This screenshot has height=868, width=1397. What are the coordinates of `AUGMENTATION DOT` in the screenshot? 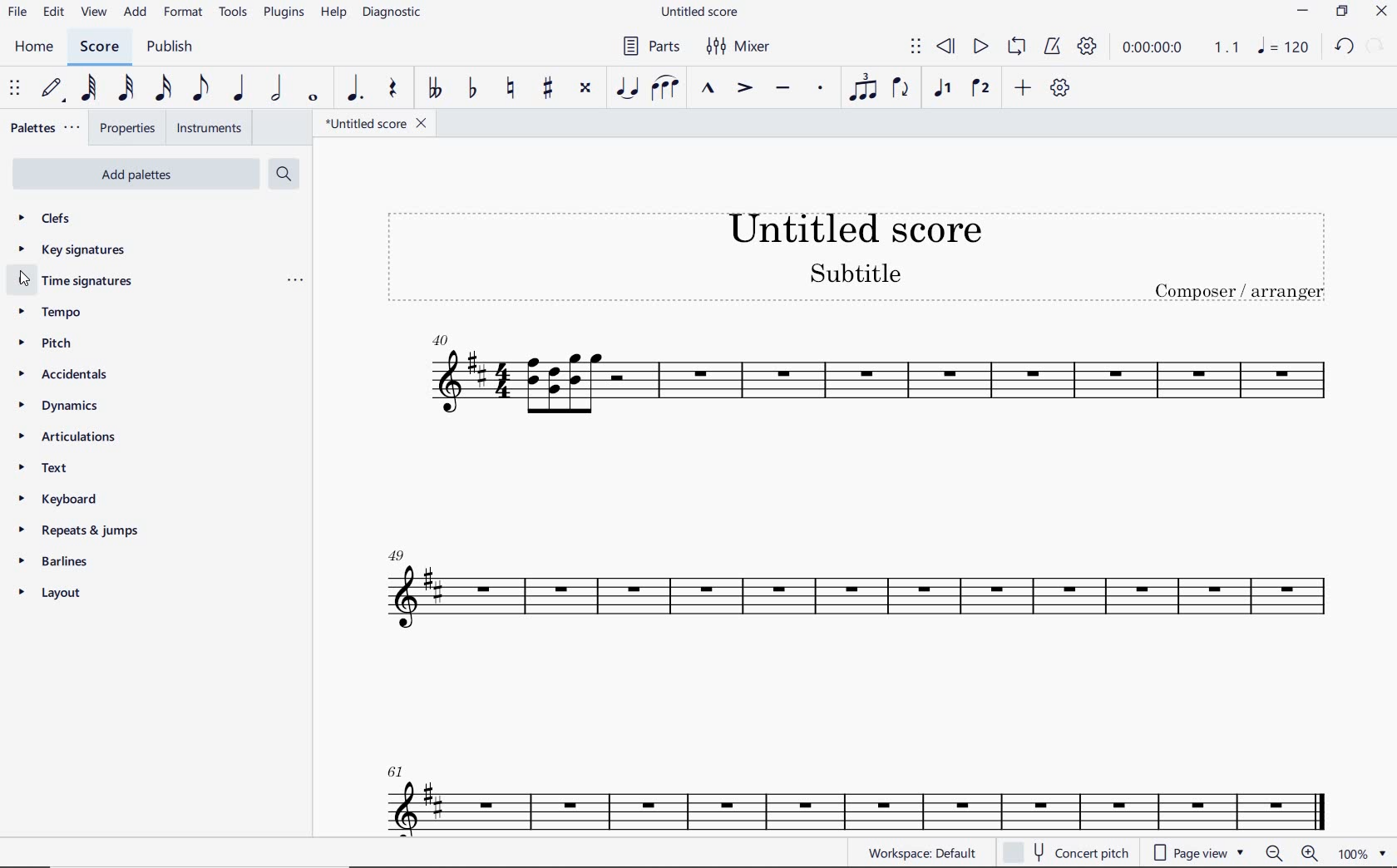 It's located at (353, 89).